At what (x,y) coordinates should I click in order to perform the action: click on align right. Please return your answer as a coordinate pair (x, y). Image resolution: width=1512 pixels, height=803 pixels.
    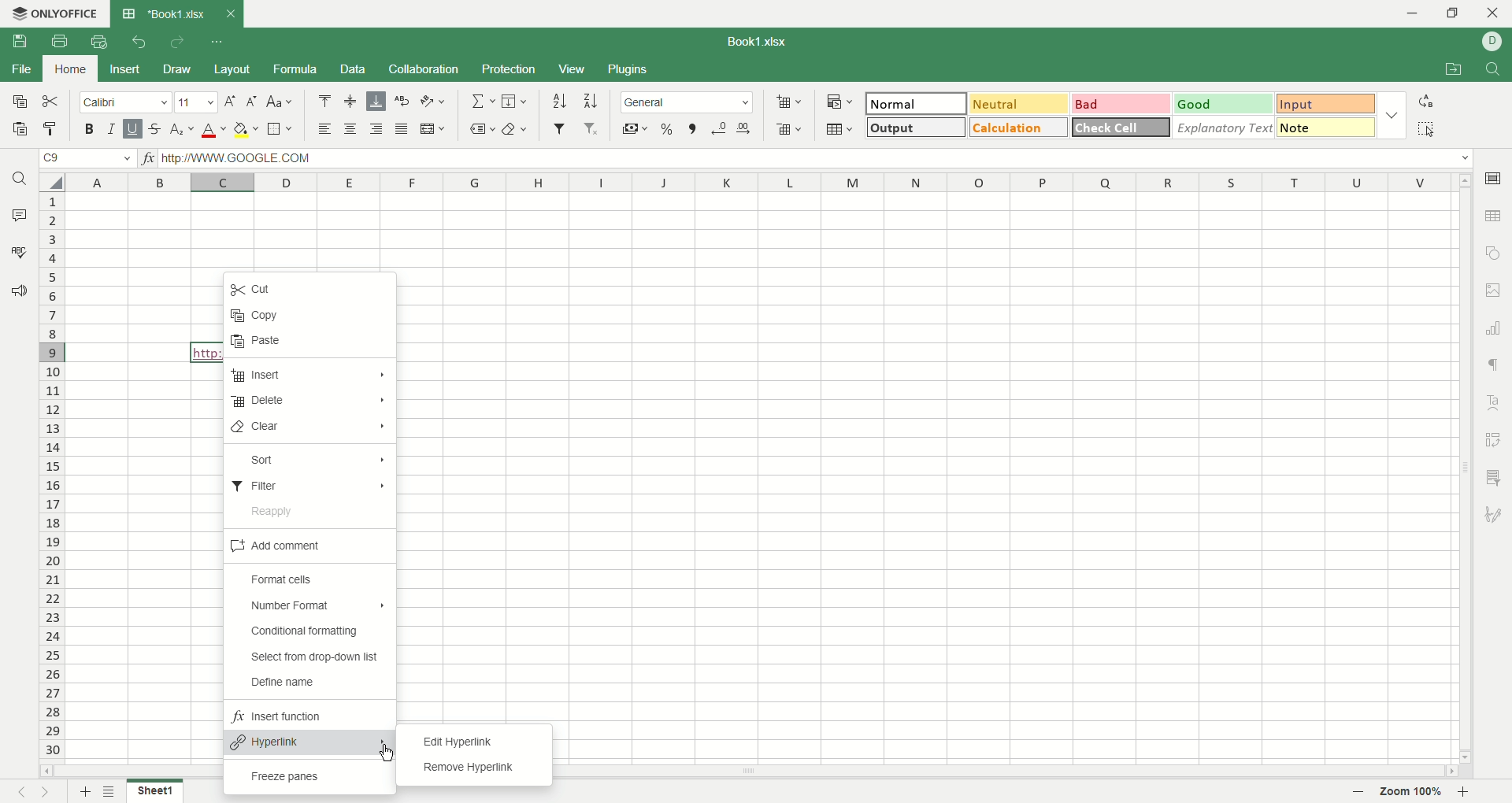
    Looking at the image, I should click on (374, 128).